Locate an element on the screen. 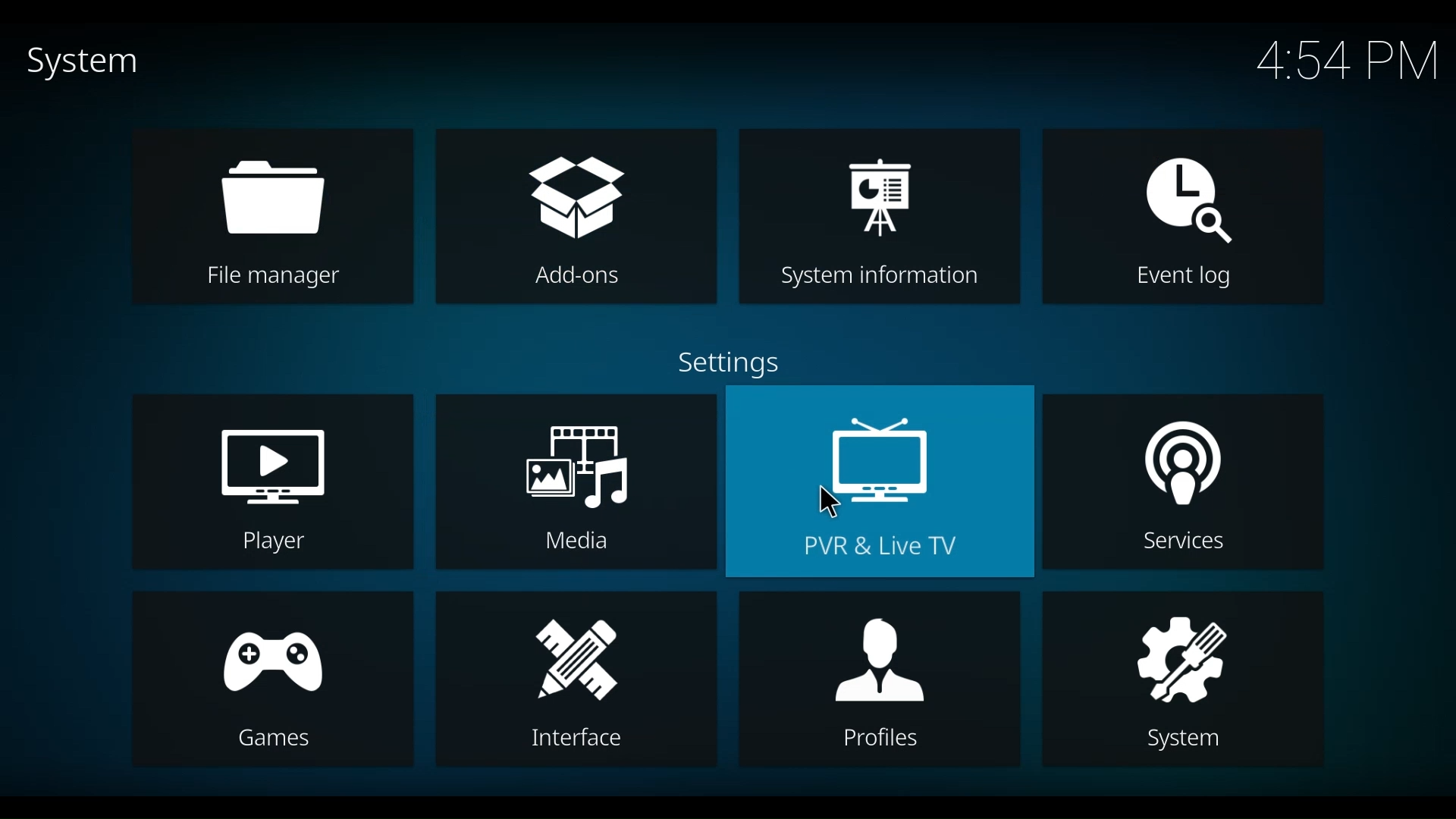 This screenshot has height=819, width=1456. Interface is located at coordinates (575, 681).